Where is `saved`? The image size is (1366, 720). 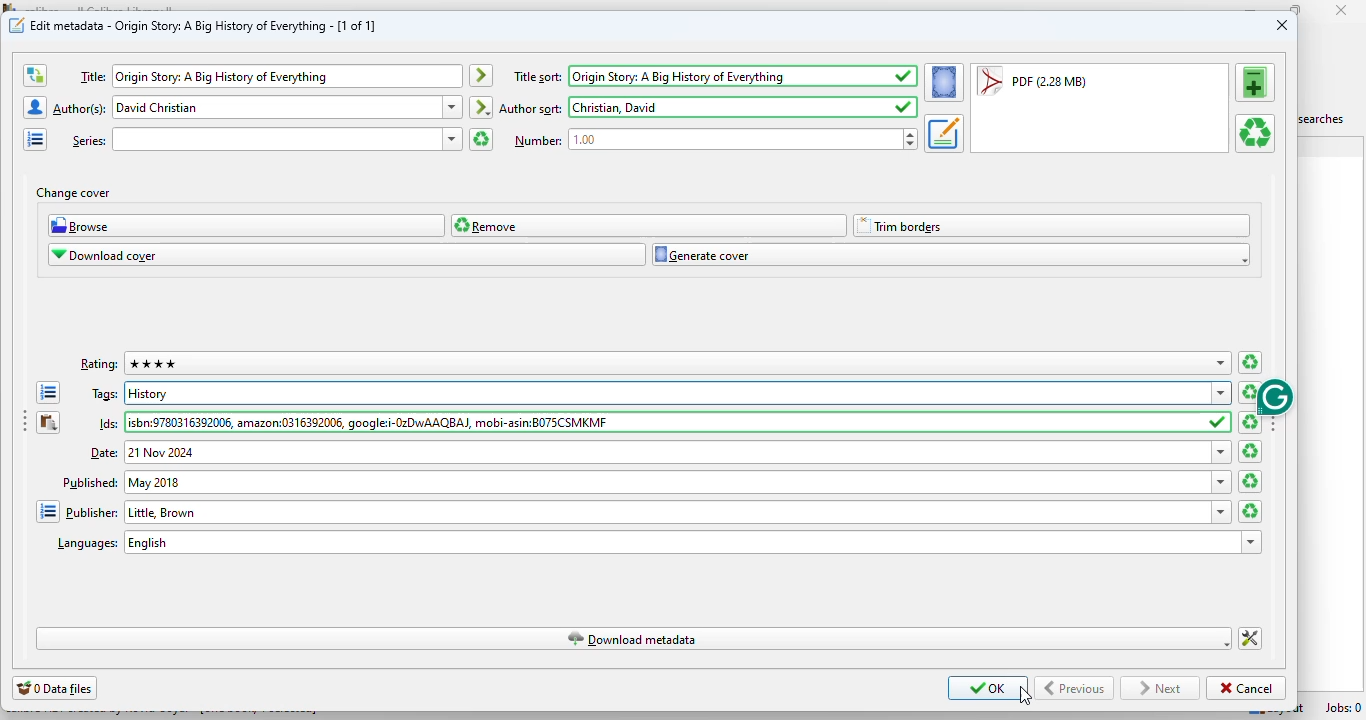
saved is located at coordinates (1219, 423).